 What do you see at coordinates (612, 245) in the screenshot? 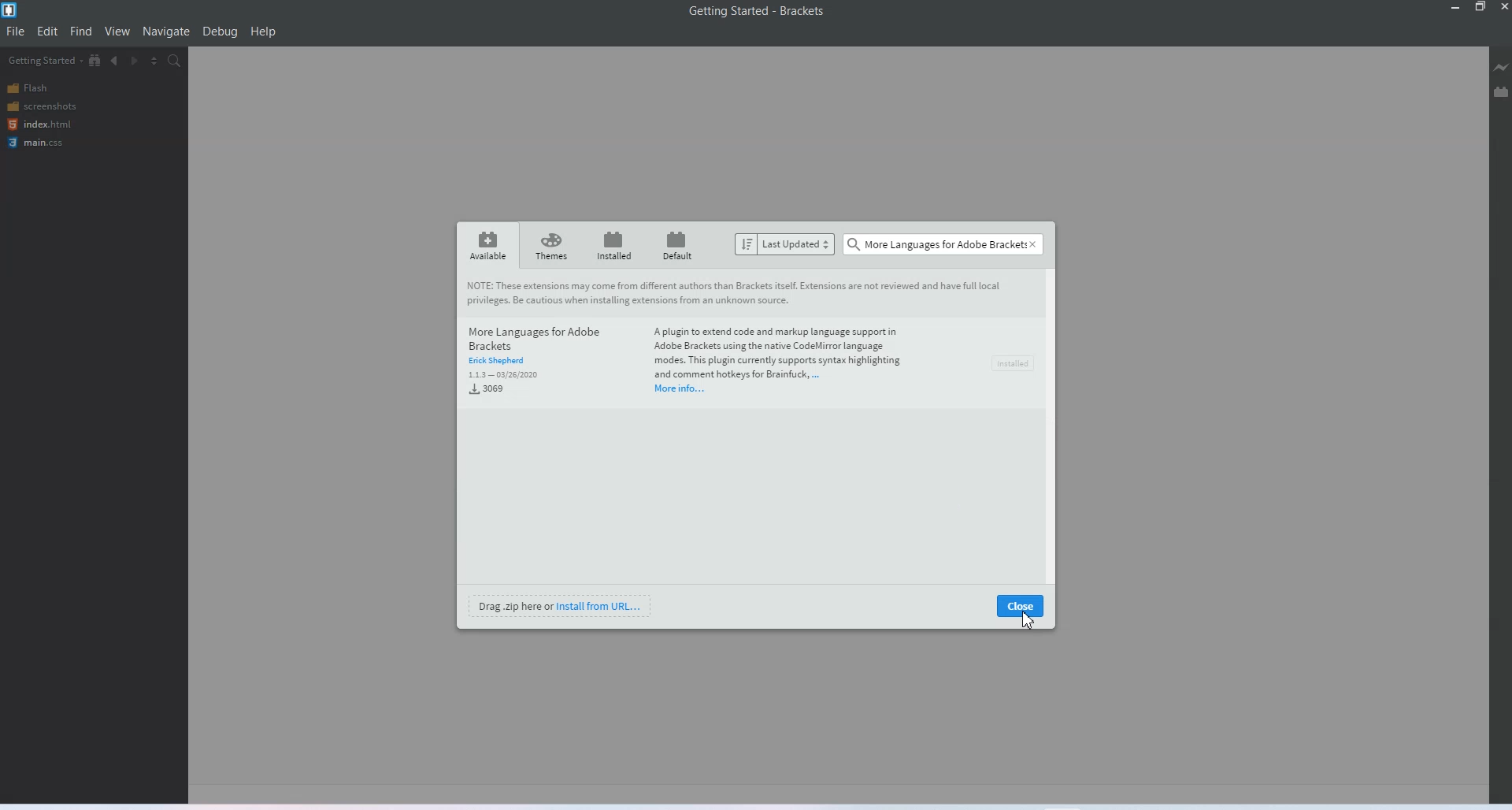
I see `Installed` at bounding box center [612, 245].